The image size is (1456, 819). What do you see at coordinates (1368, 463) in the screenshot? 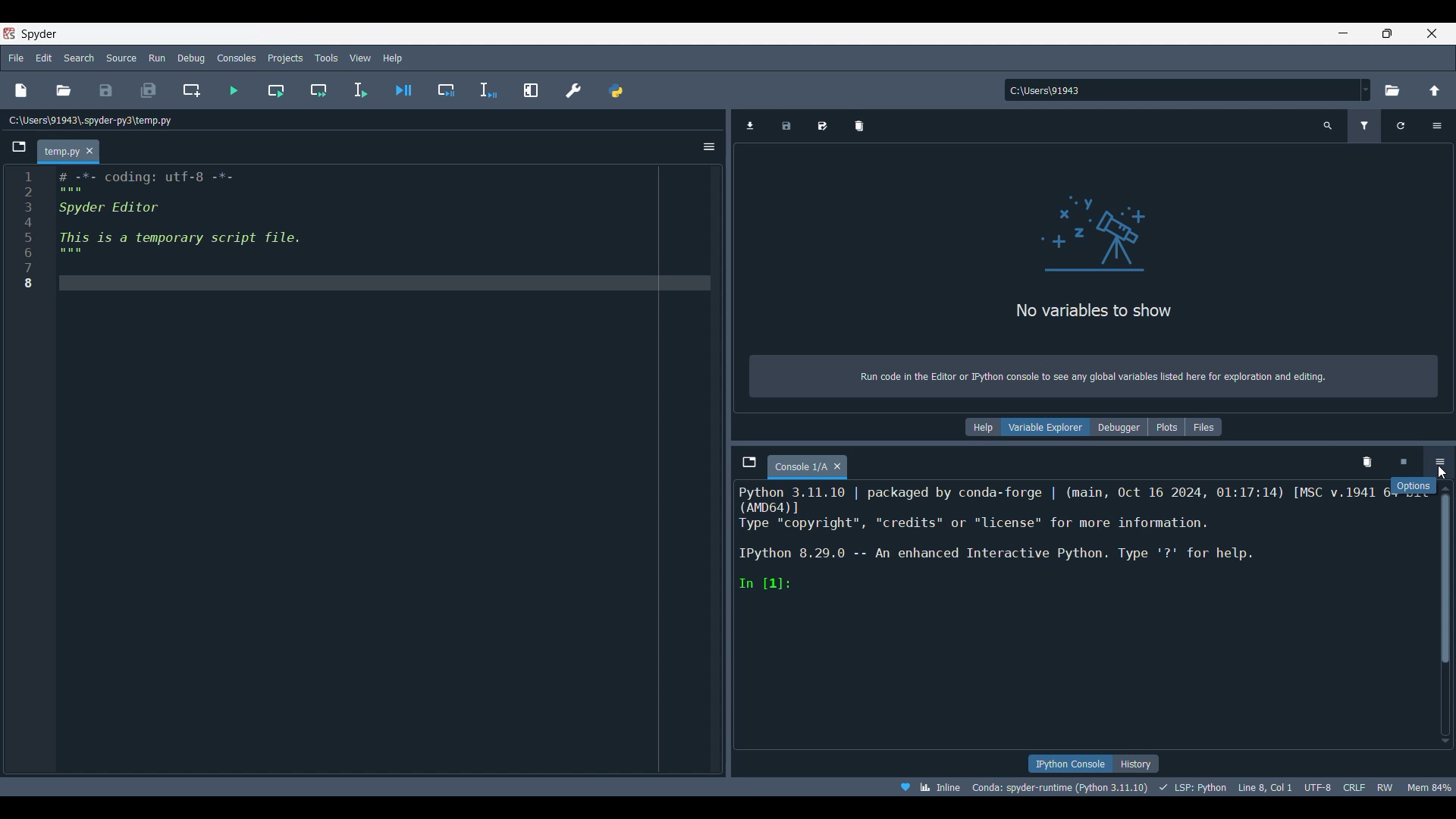
I see `Remove all variables from namespace` at bounding box center [1368, 463].